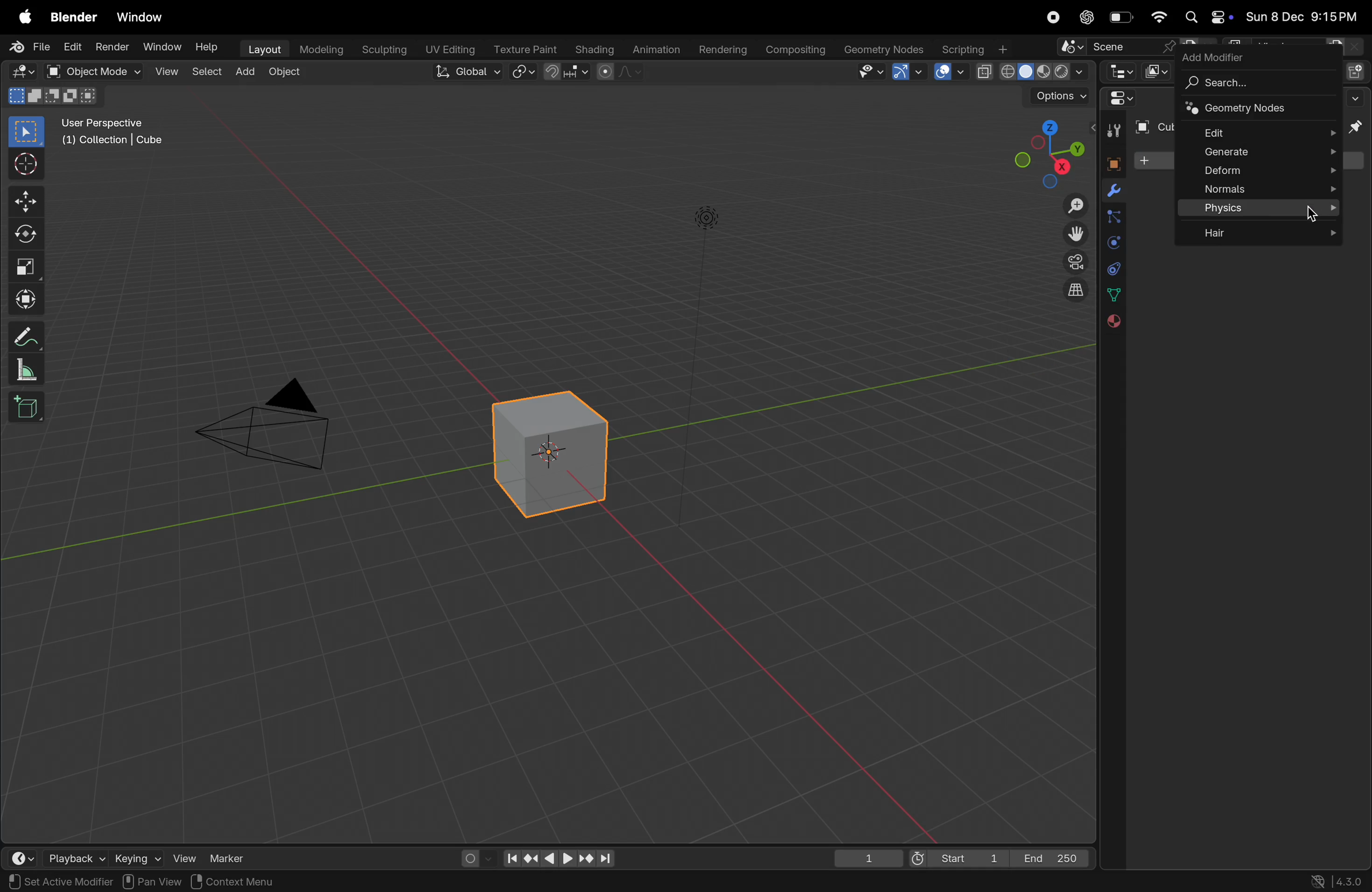 The height and width of the screenshot is (892, 1372). What do you see at coordinates (906, 73) in the screenshot?
I see `show Gimzo` at bounding box center [906, 73].